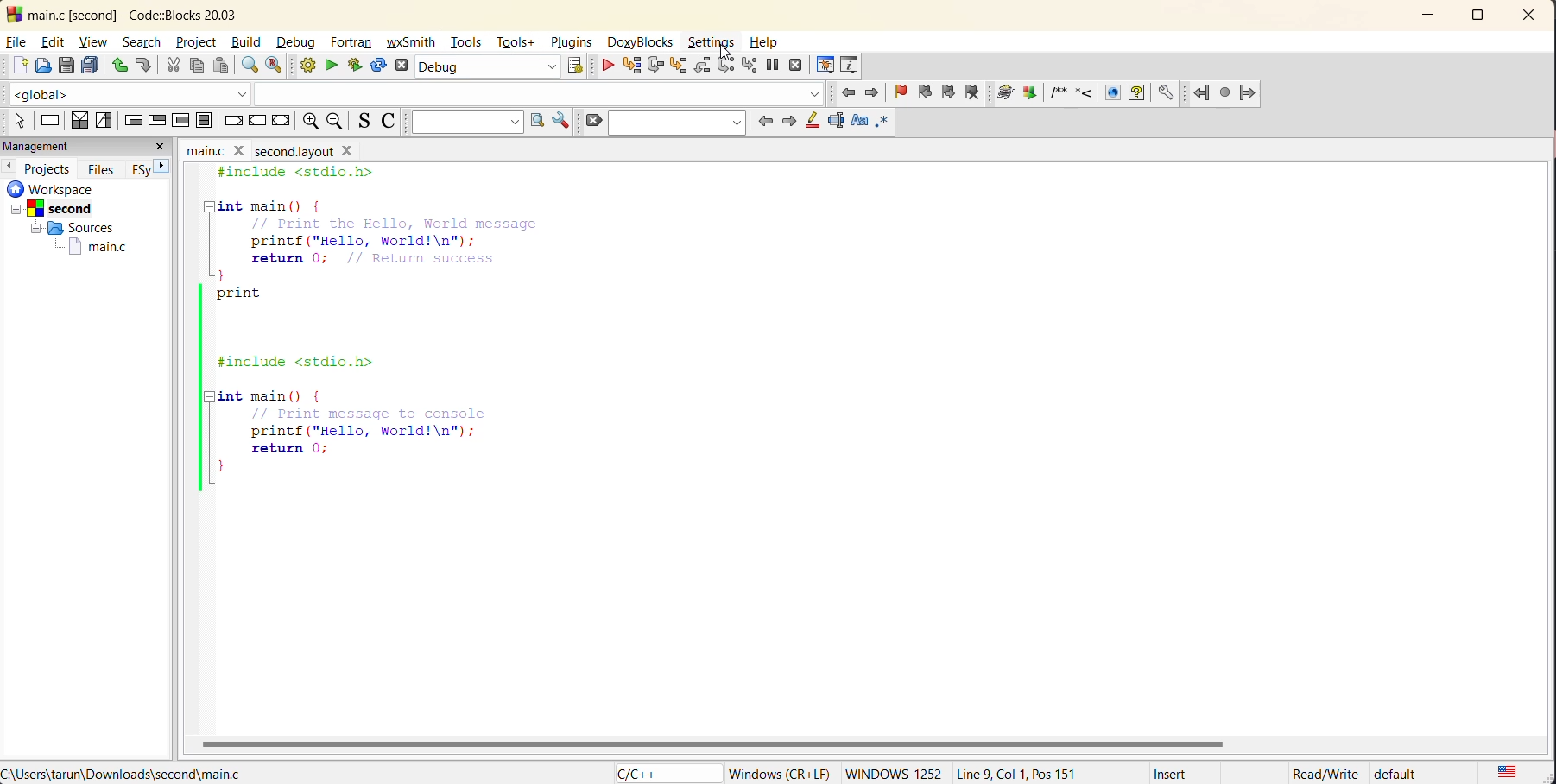 The width and height of the screenshot is (1556, 784). Describe the element at coordinates (838, 121) in the screenshot. I see `selected text` at that location.